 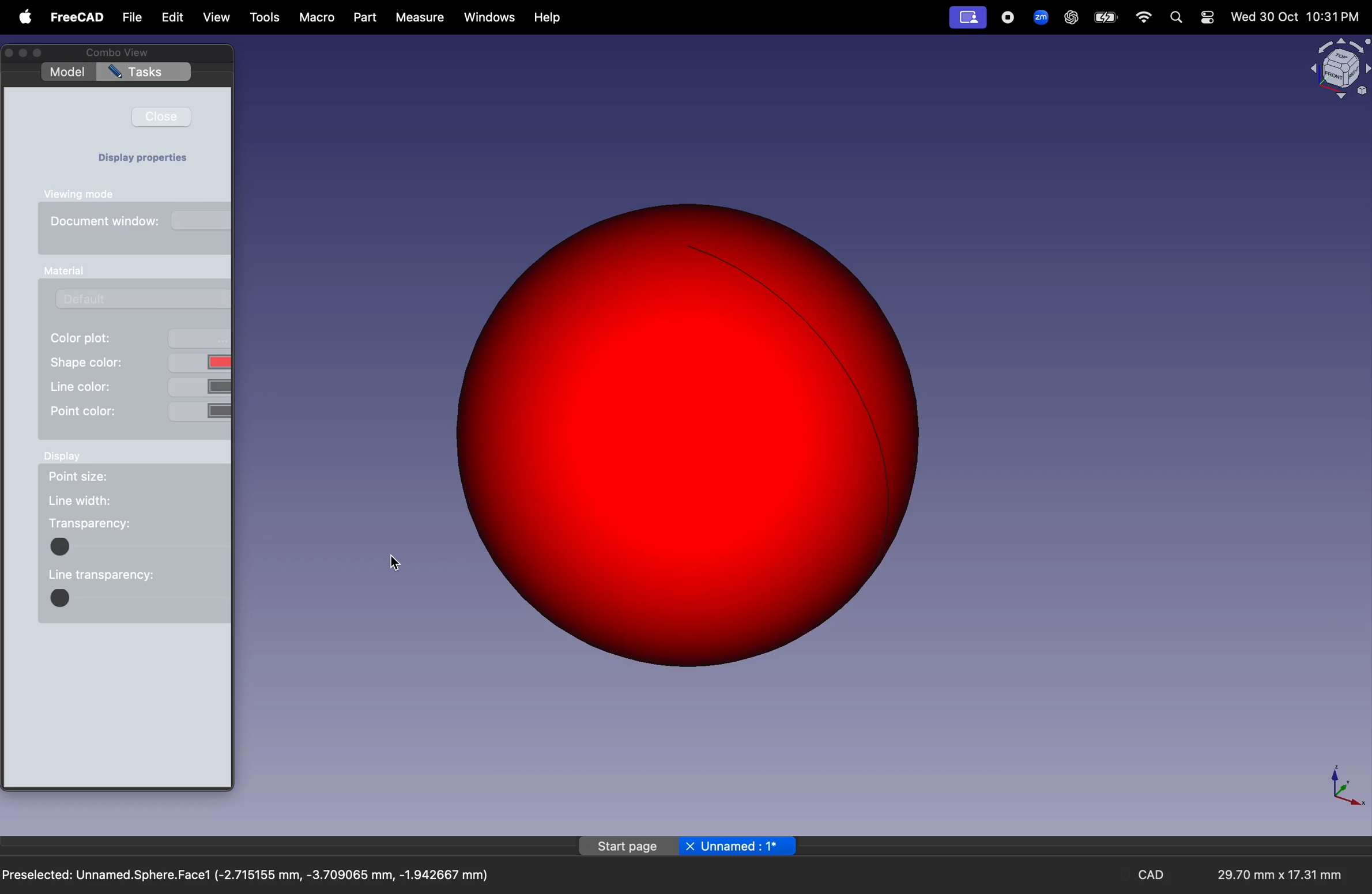 What do you see at coordinates (22, 17) in the screenshot?
I see `apple menu` at bounding box center [22, 17].